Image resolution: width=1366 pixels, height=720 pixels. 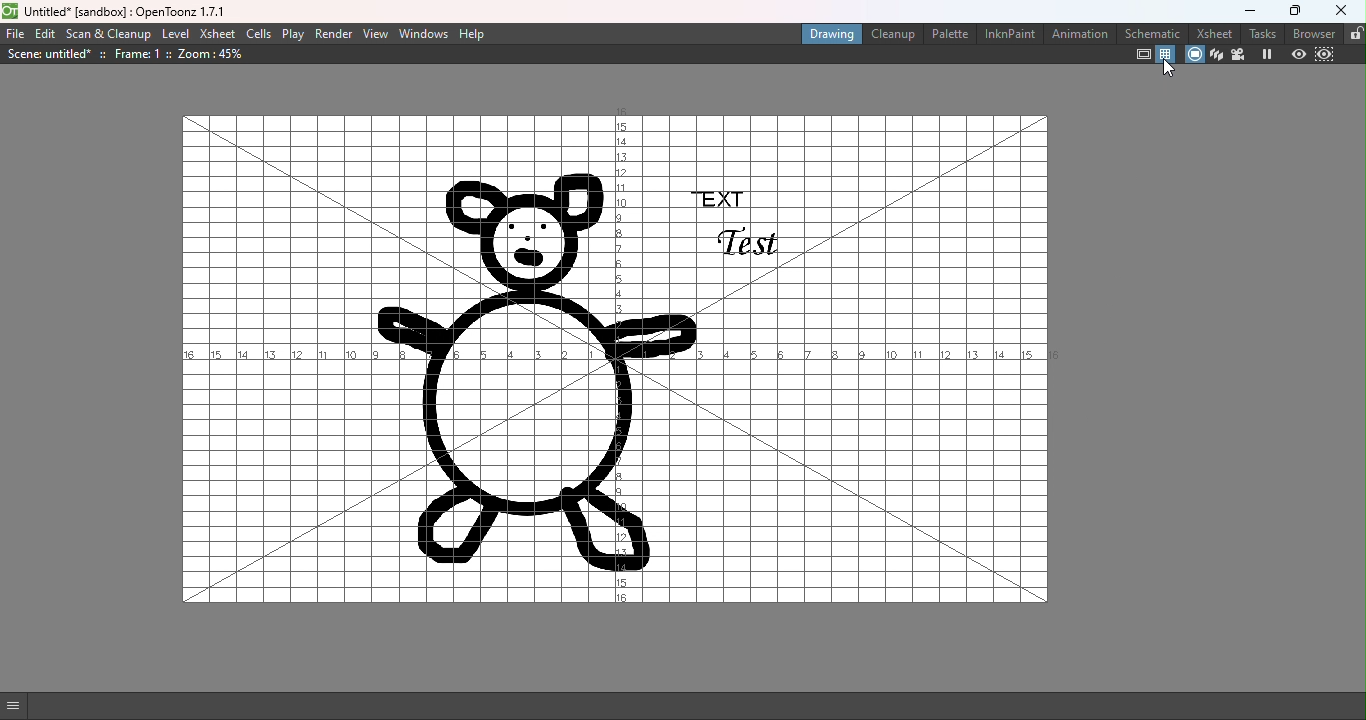 I want to click on Canvas, so click(x=618, y=363).